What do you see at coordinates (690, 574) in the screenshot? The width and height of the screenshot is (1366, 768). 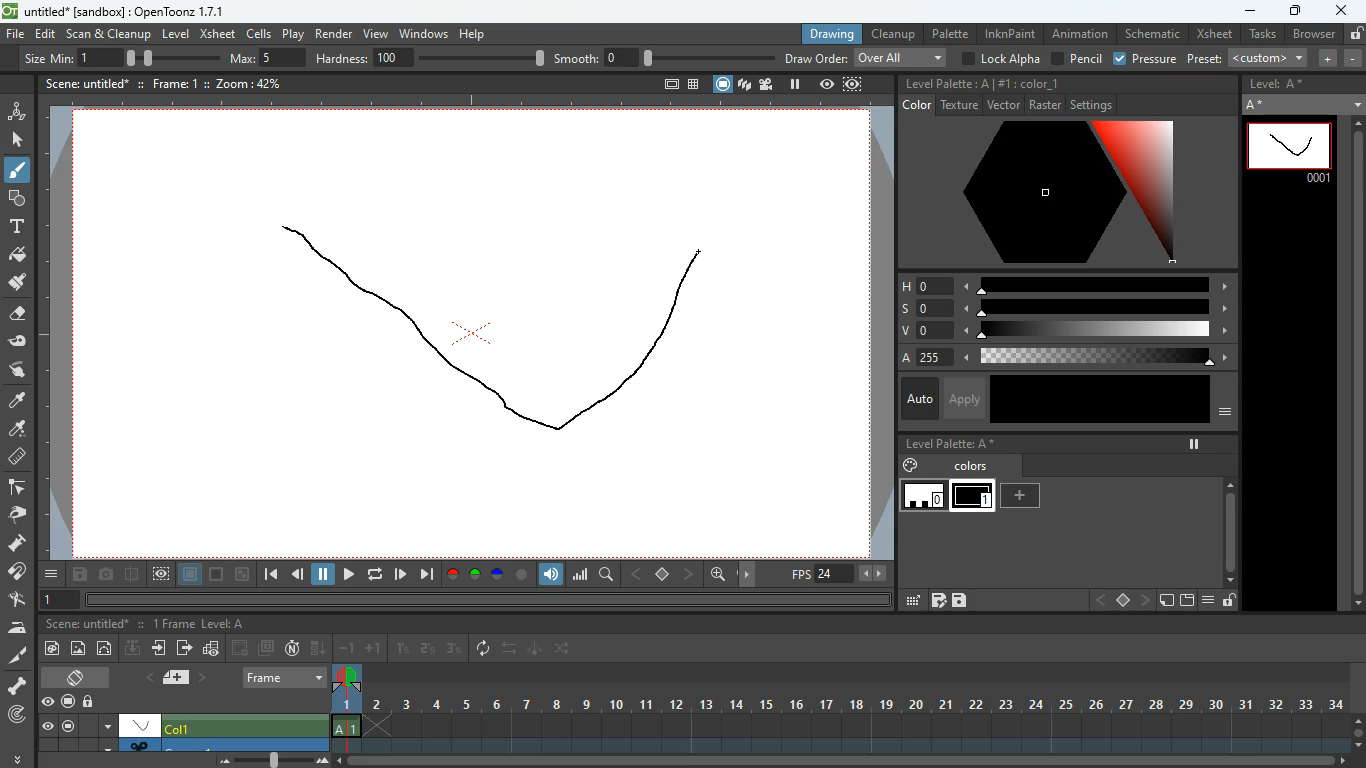 I see `right` at bounding box center [690, 574].